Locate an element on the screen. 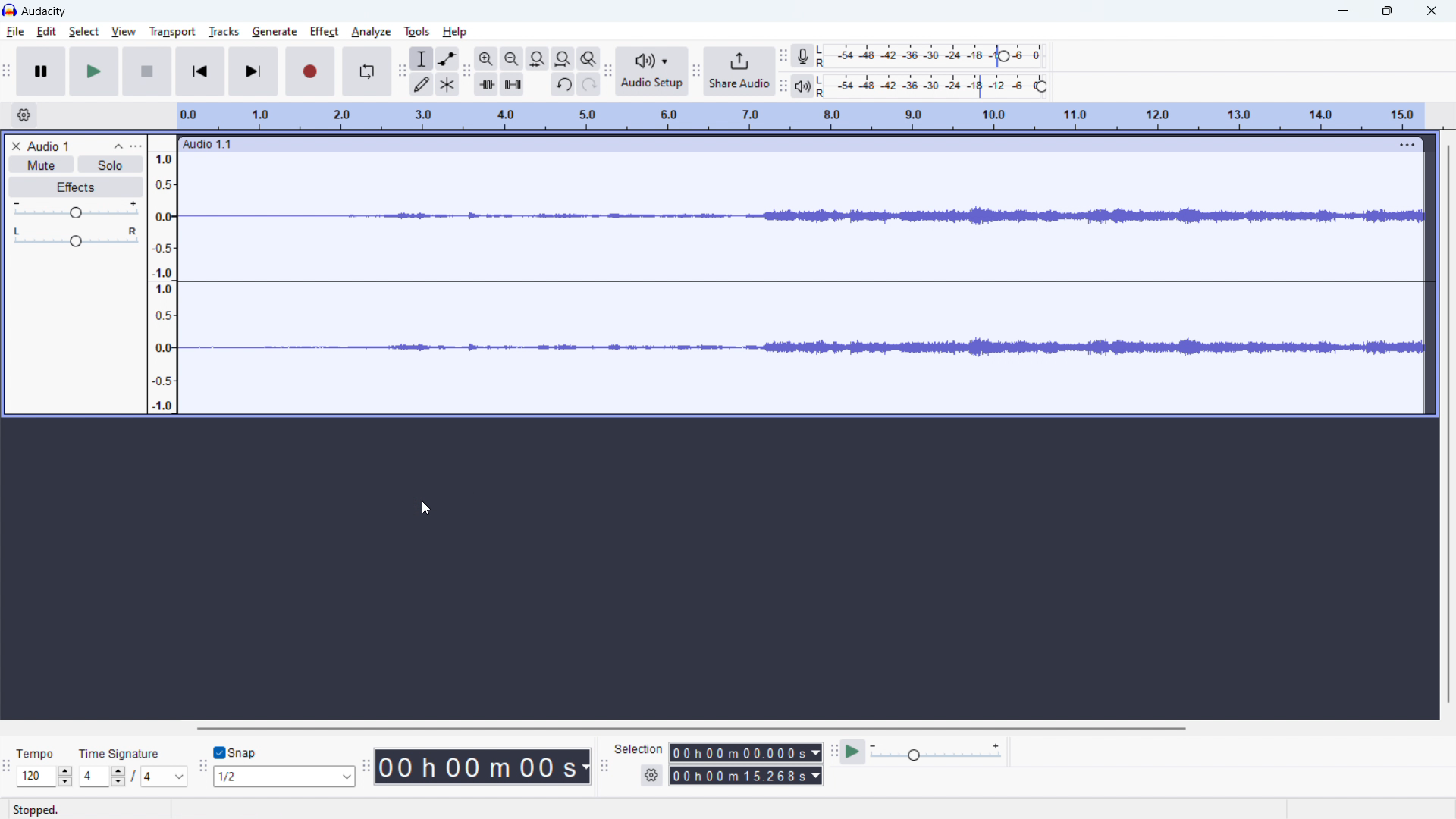  minimize is located at coordinates (1342, 11).